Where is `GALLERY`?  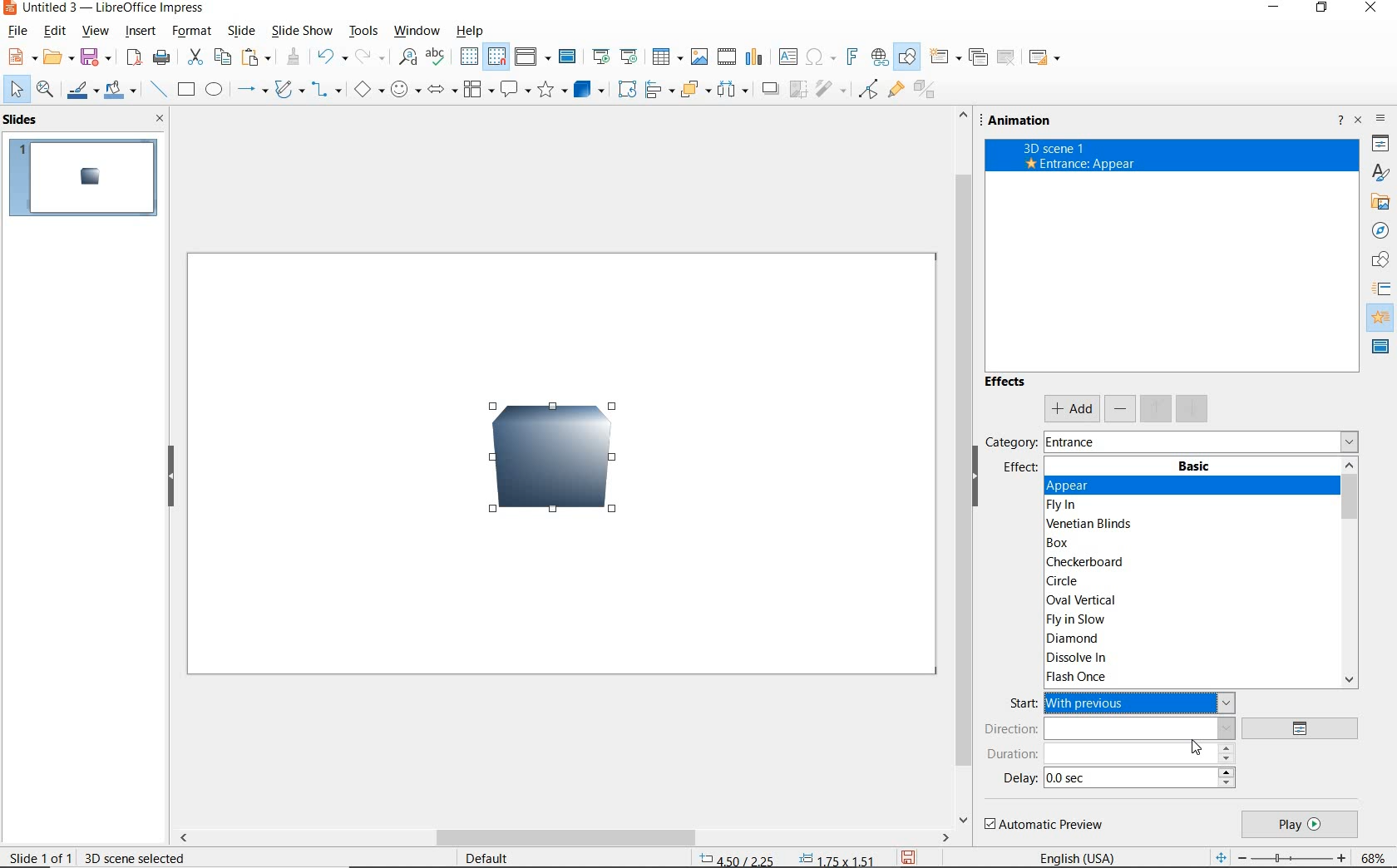 GALLERY is located at coordinates (1380, 204).